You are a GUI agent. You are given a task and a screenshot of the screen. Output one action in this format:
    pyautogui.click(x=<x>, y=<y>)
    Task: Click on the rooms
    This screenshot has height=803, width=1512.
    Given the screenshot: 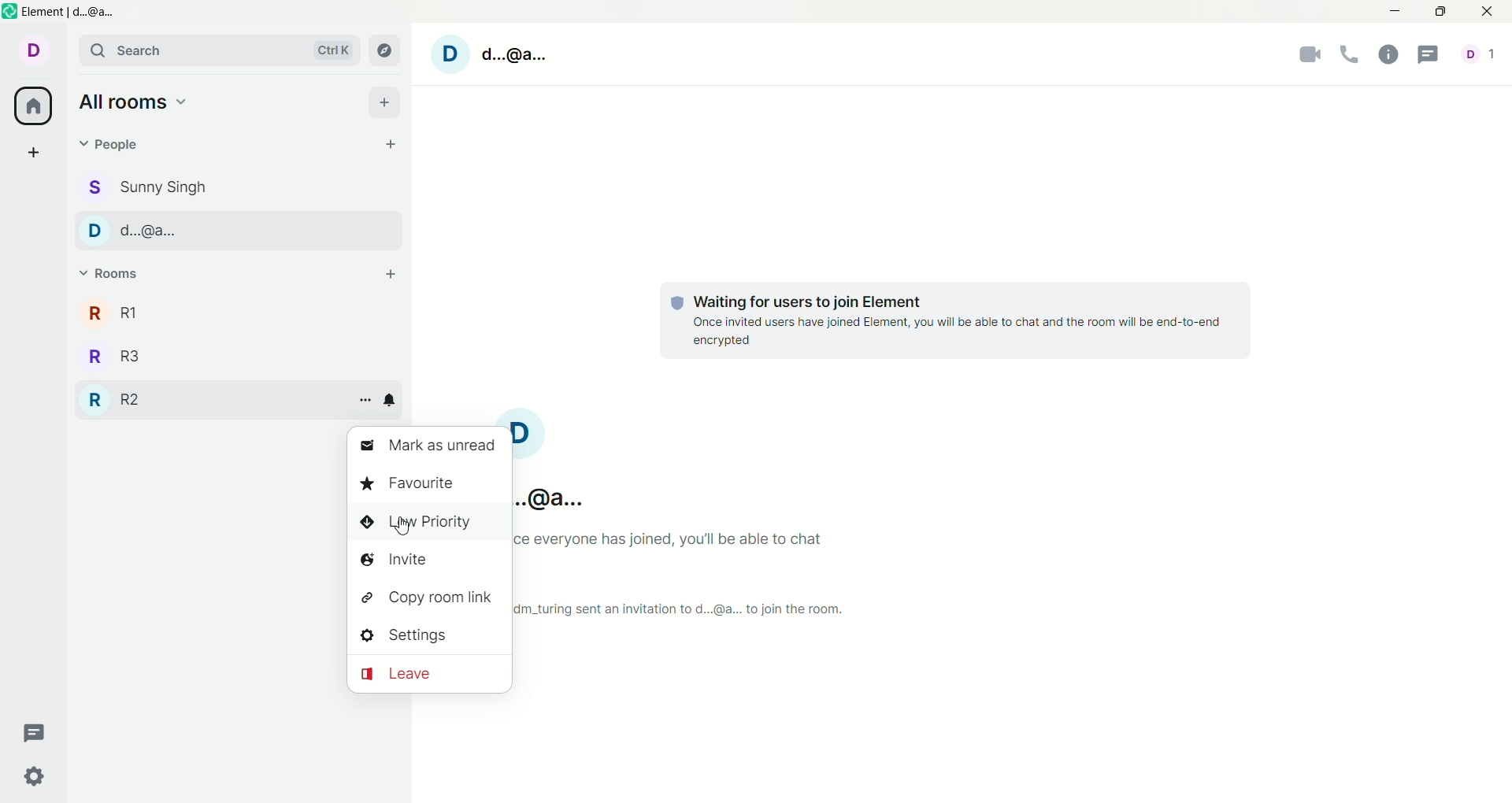 What is the action you would take?
    pyautogui.click(x=115, y=276)
    